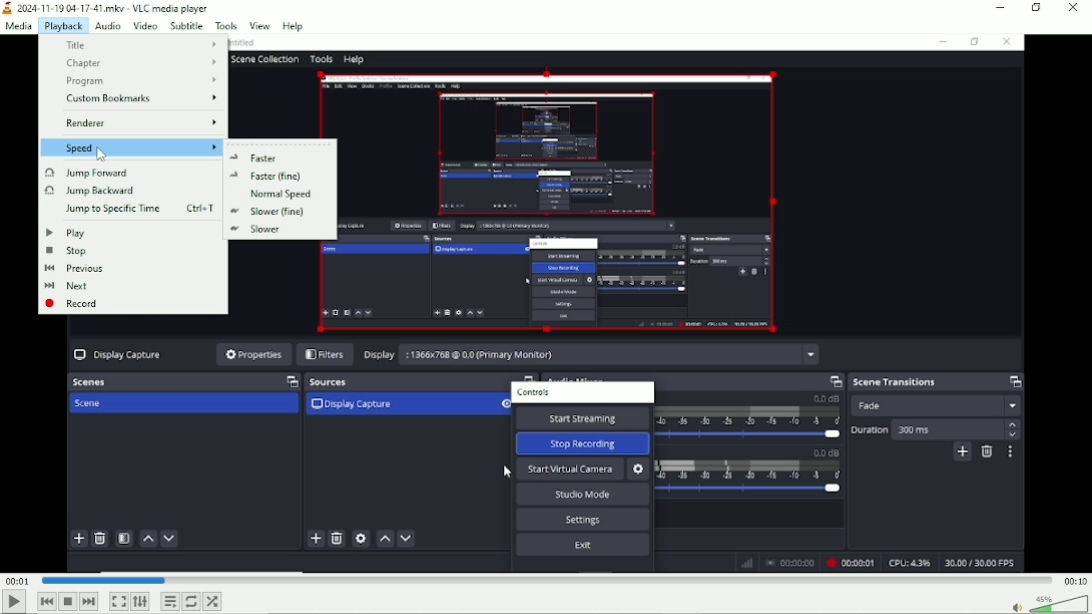  Describe the element at coordinates (101, 158) in the screenshot. I see `cursor` at that location.